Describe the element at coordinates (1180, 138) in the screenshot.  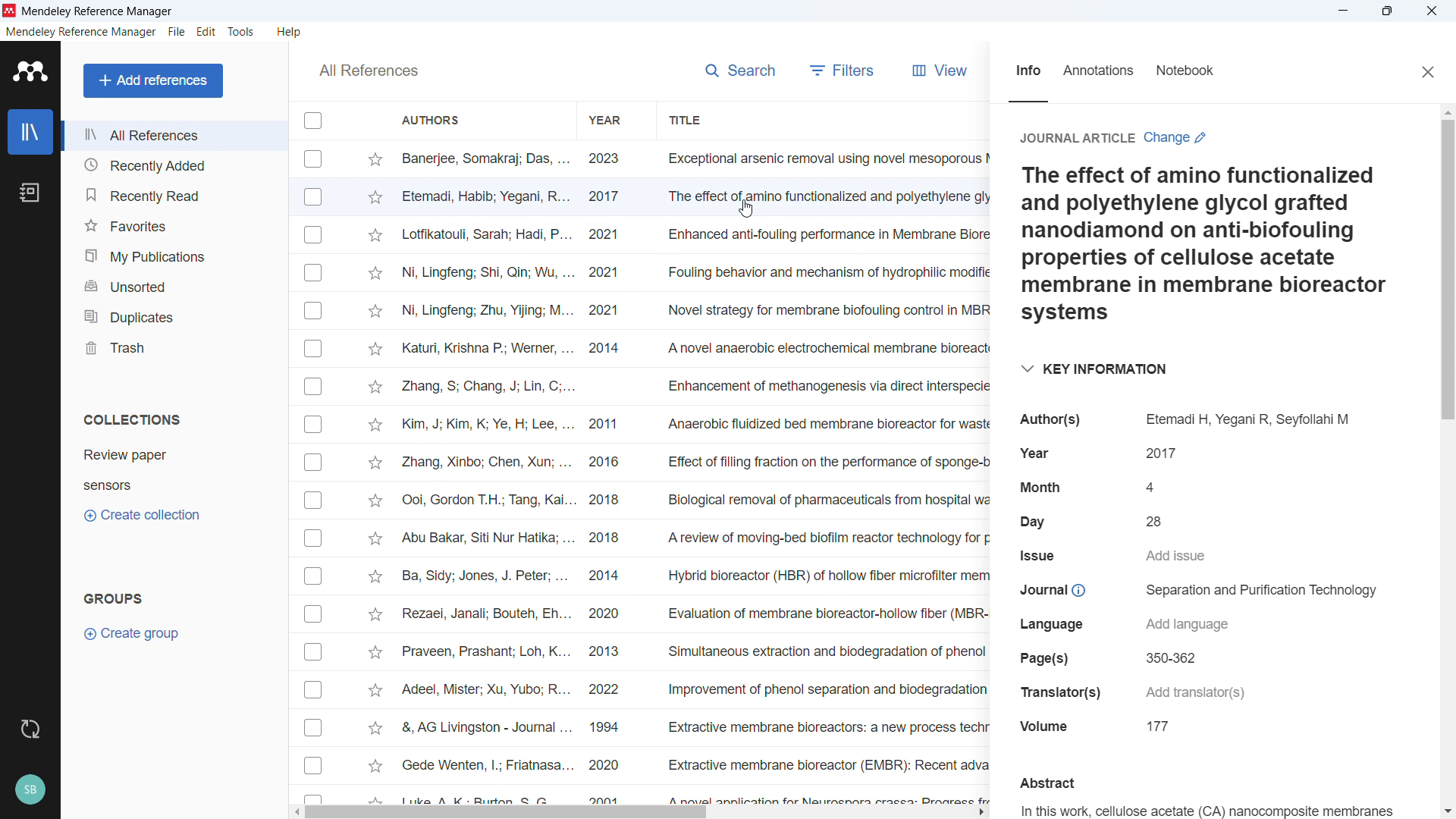
I see `Change article type ` at that location.